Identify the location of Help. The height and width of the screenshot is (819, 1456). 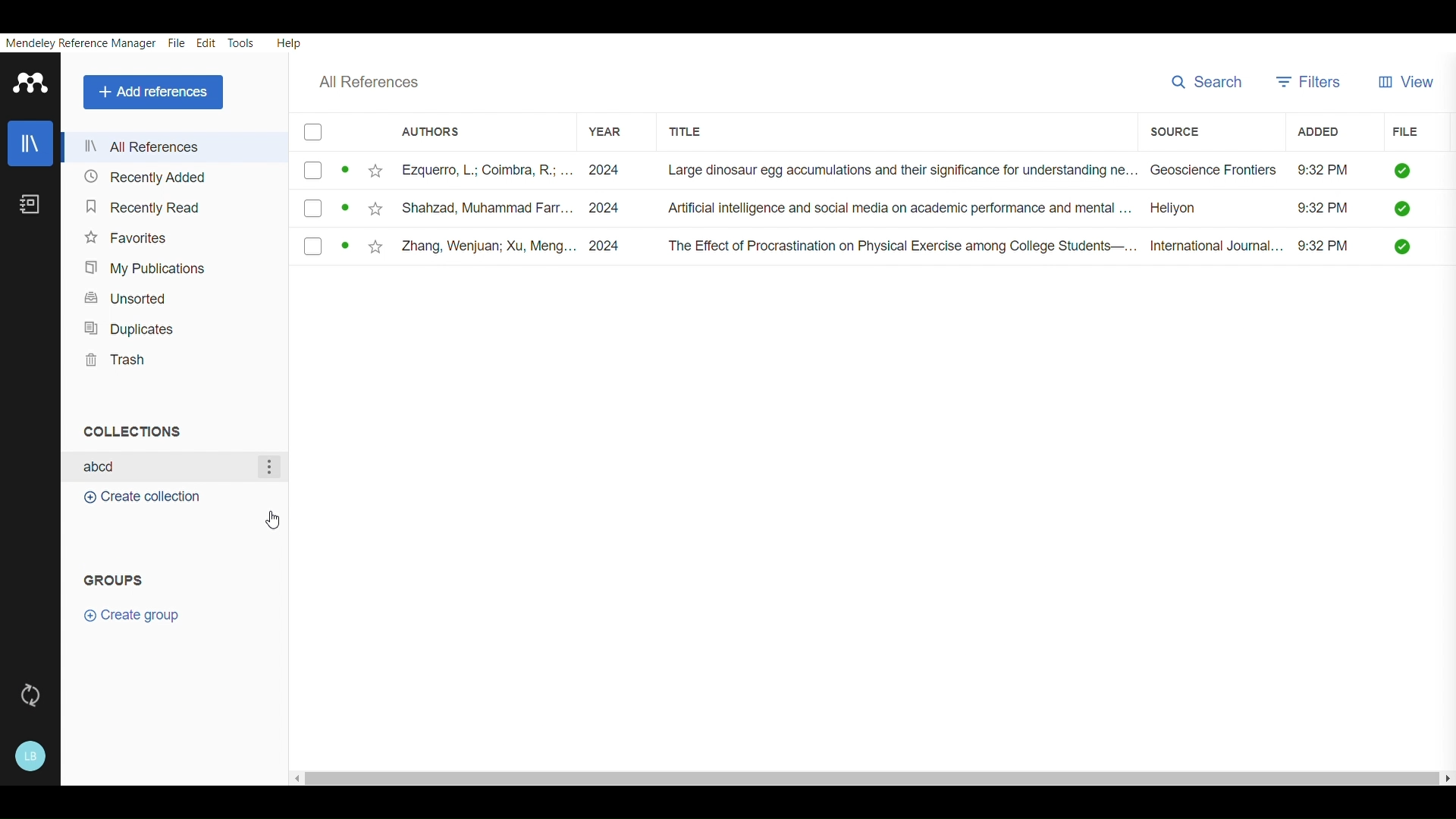
(291, 41).